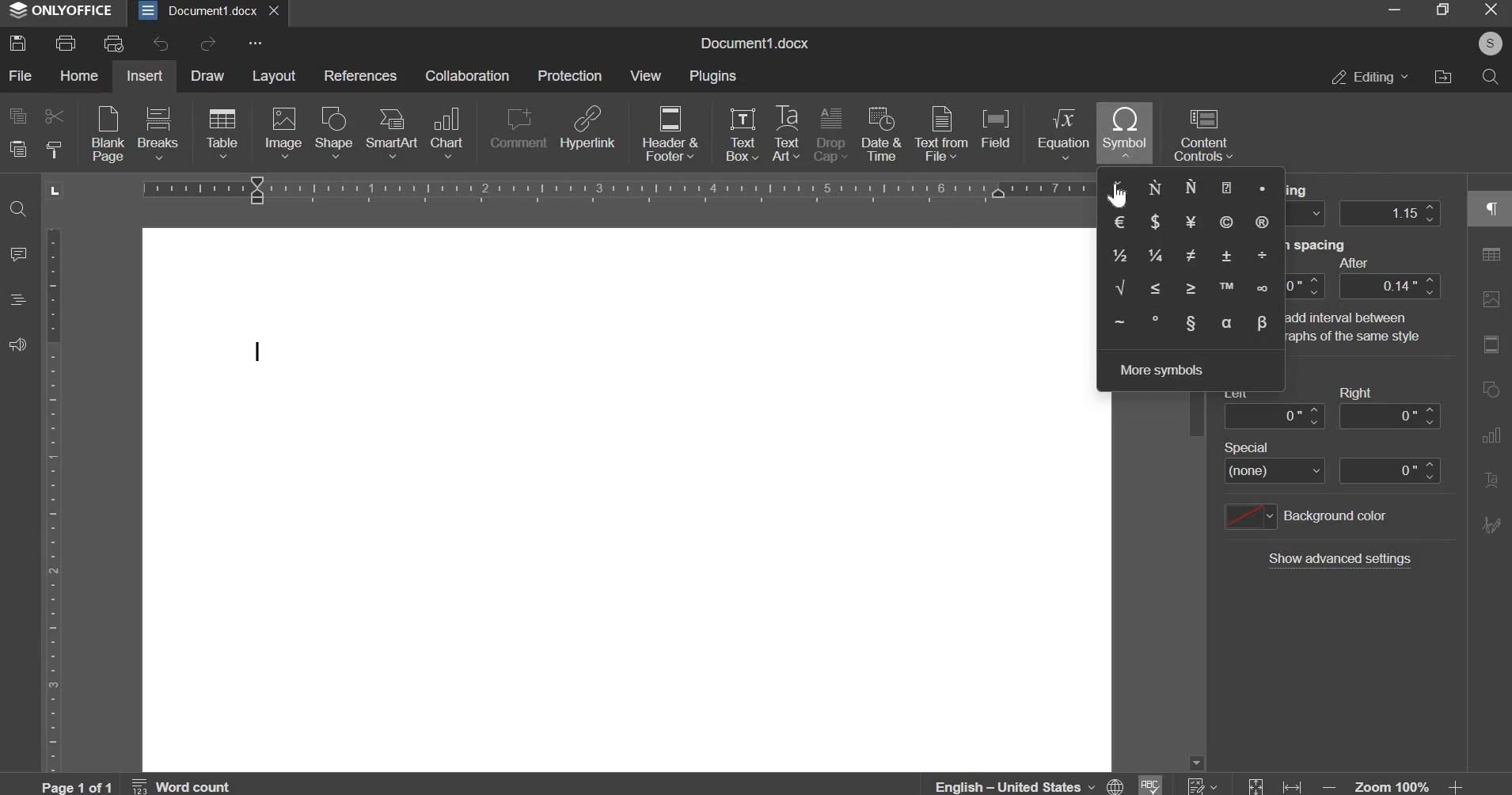  I want to click on view, so click(647, 75).